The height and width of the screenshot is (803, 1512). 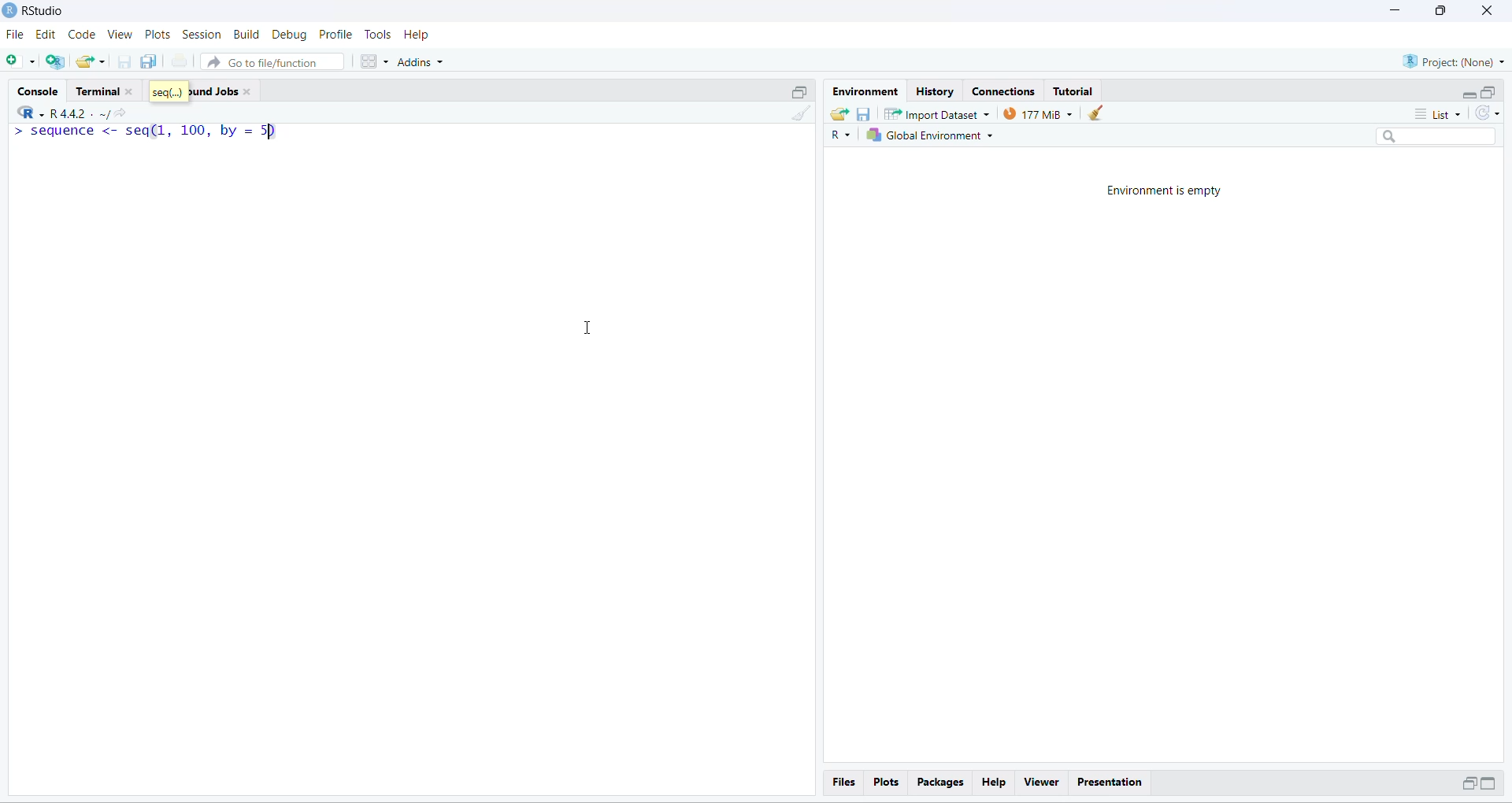 What do you see at coordinates (98, 91) in the screenshot?
I see `terminal` at bounding box center [98, 91].